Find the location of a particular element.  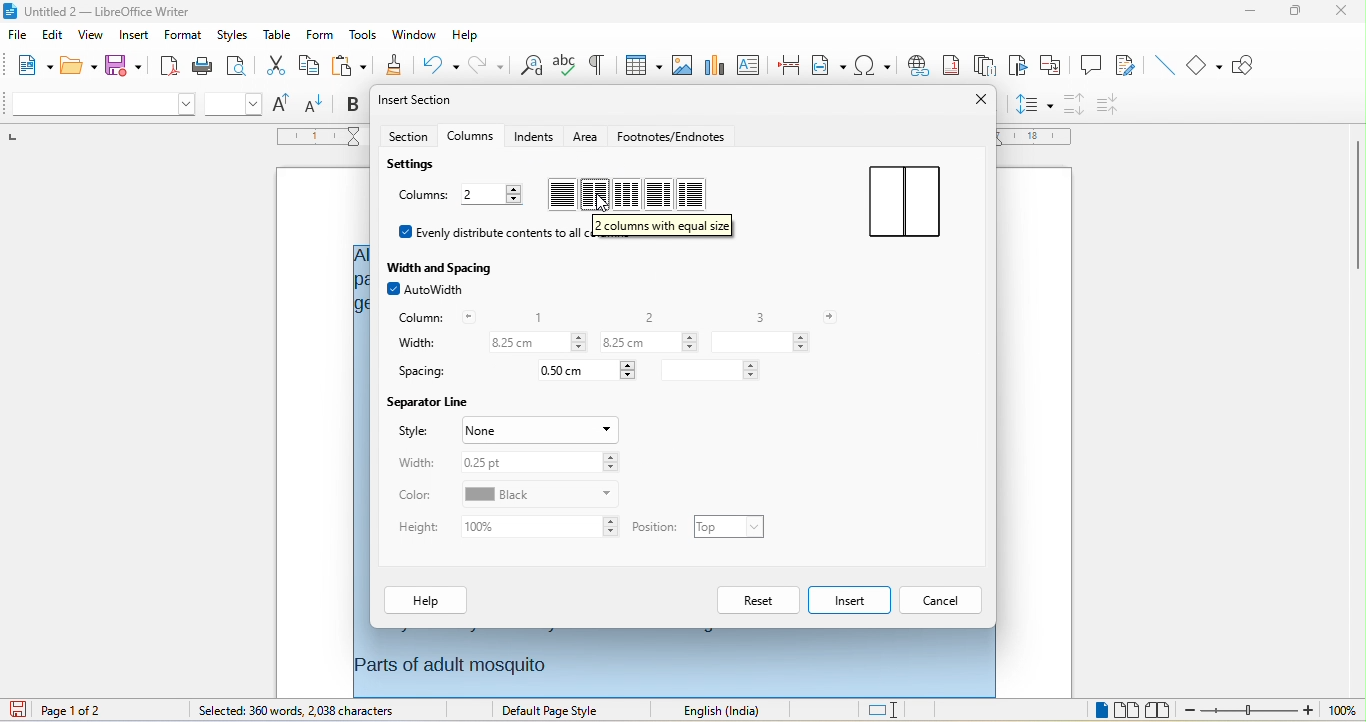

width and spacing is located at coordinates (441, 264).